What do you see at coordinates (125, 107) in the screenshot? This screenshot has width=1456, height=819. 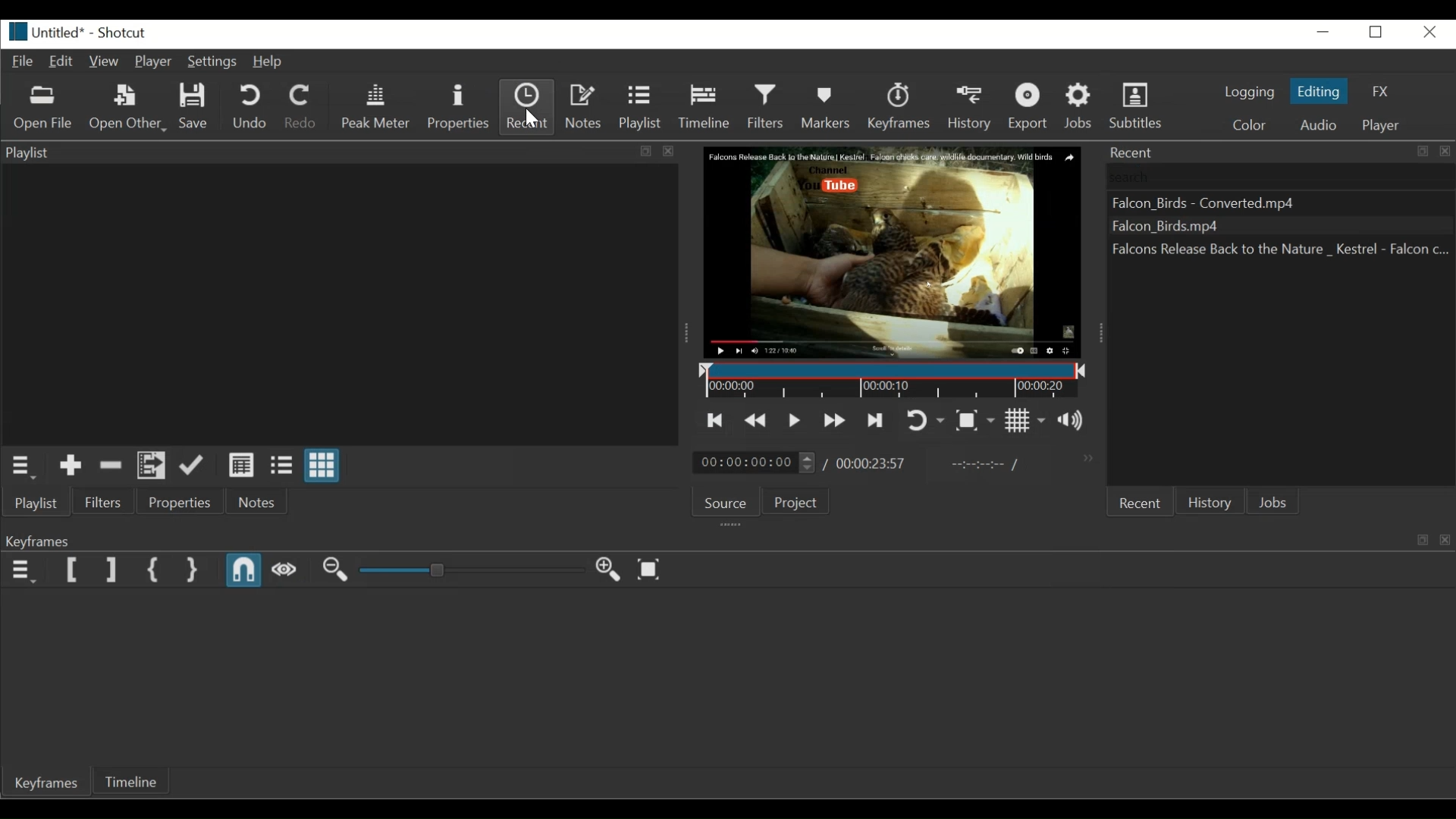 I see `Open Other` at bounding box center [125, 107].